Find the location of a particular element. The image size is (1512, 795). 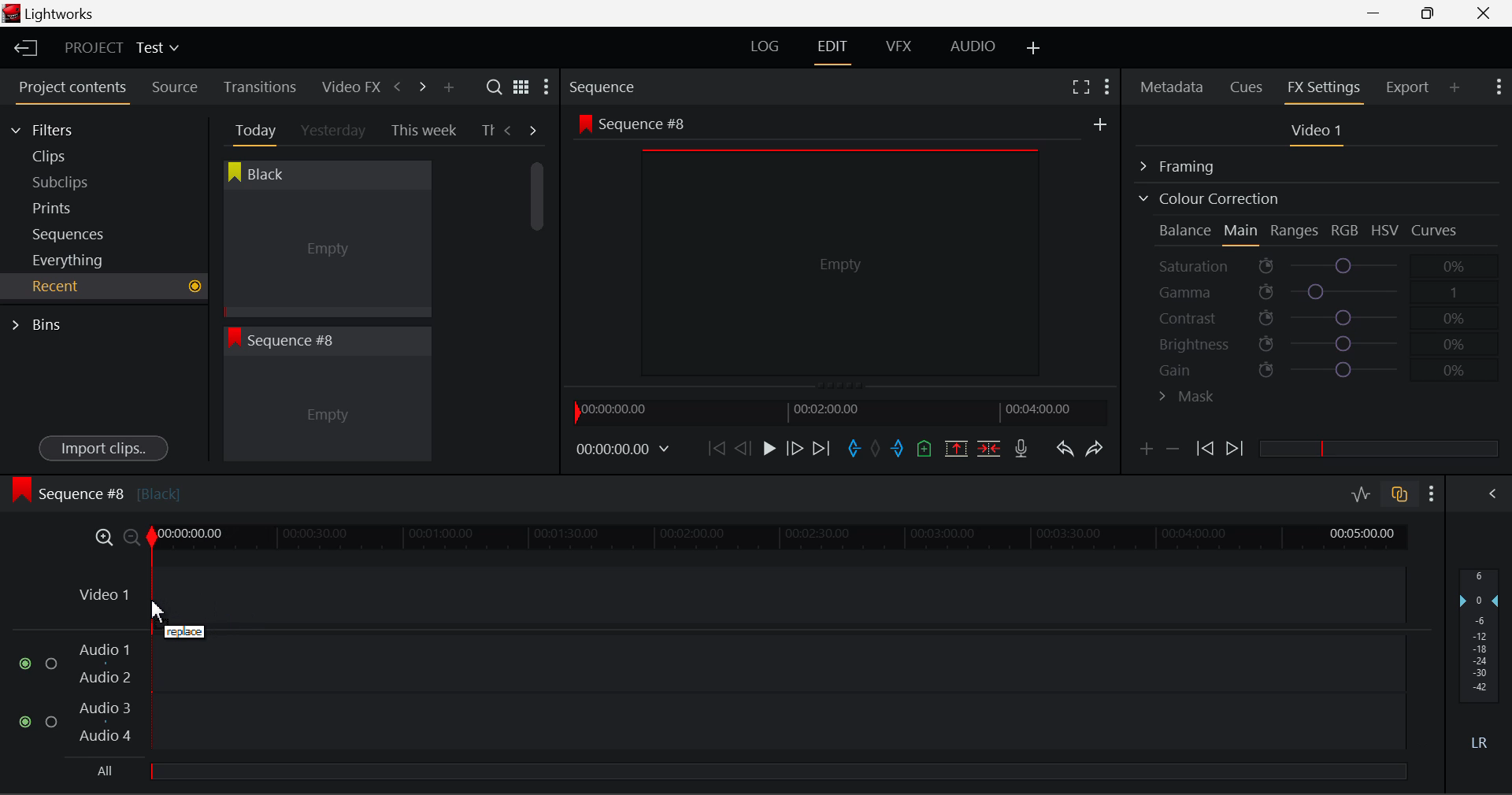

Filters is located at coordinates (57, 128).